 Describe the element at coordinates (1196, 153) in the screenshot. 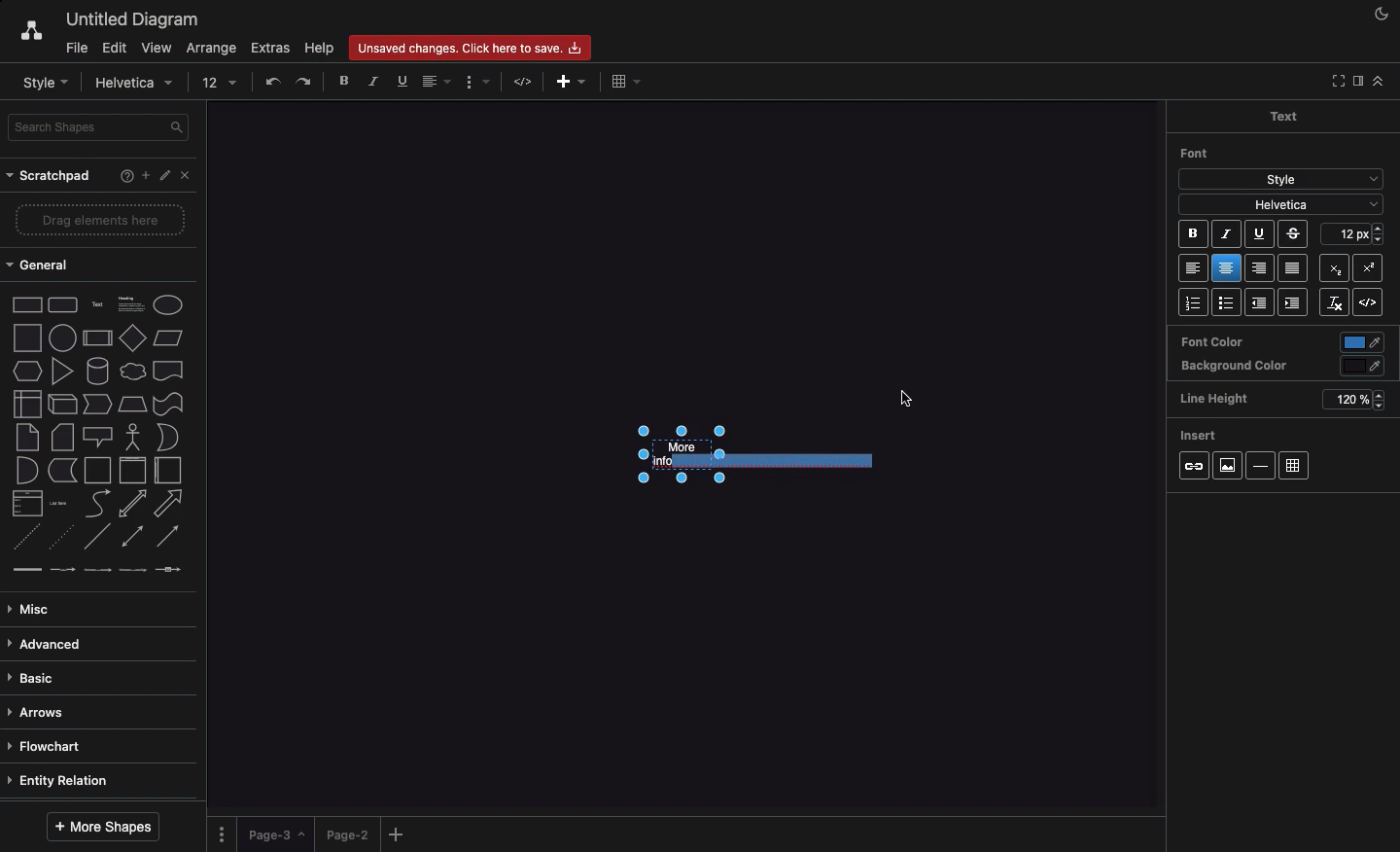

I see `Font` at that location.